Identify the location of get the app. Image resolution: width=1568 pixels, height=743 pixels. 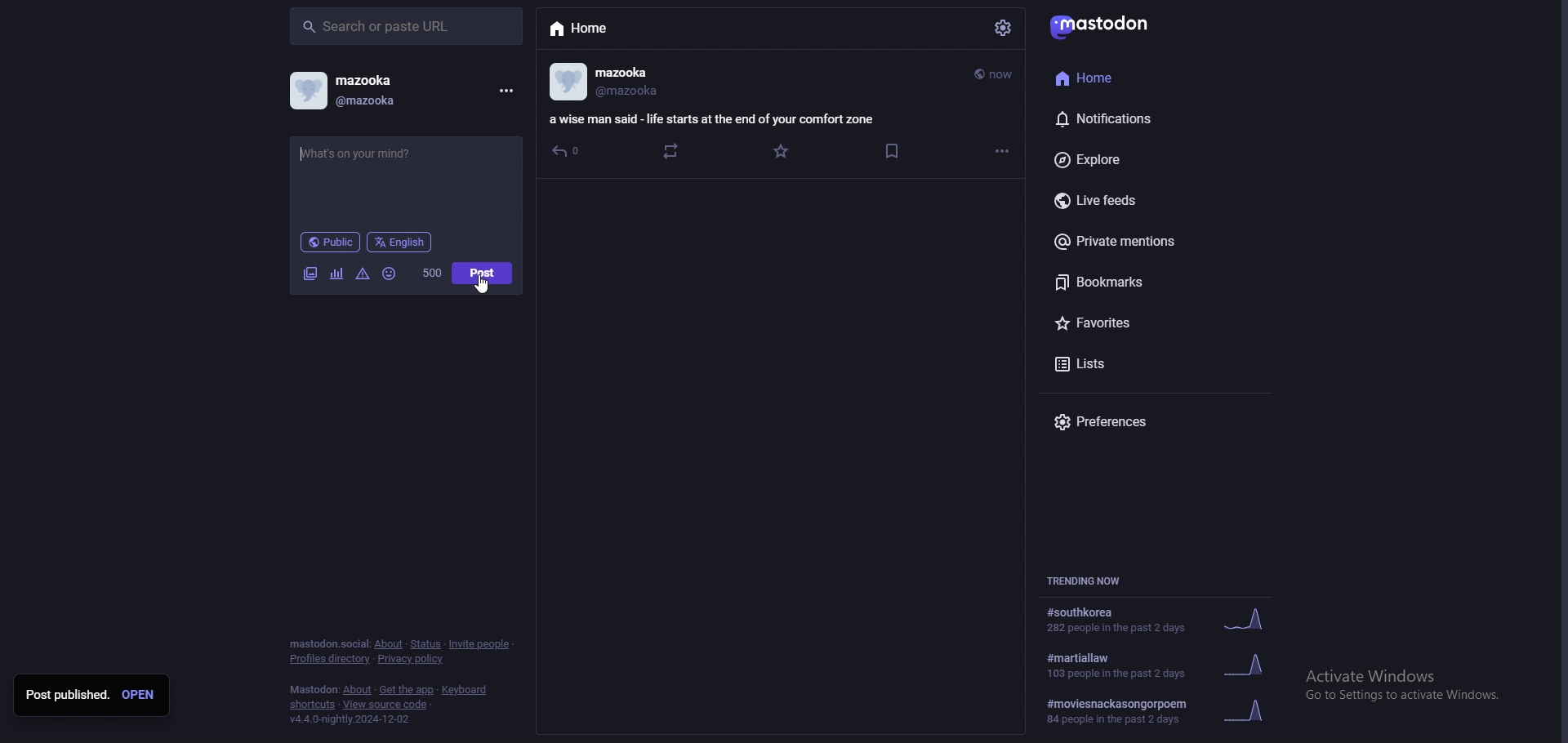
(407, 690).